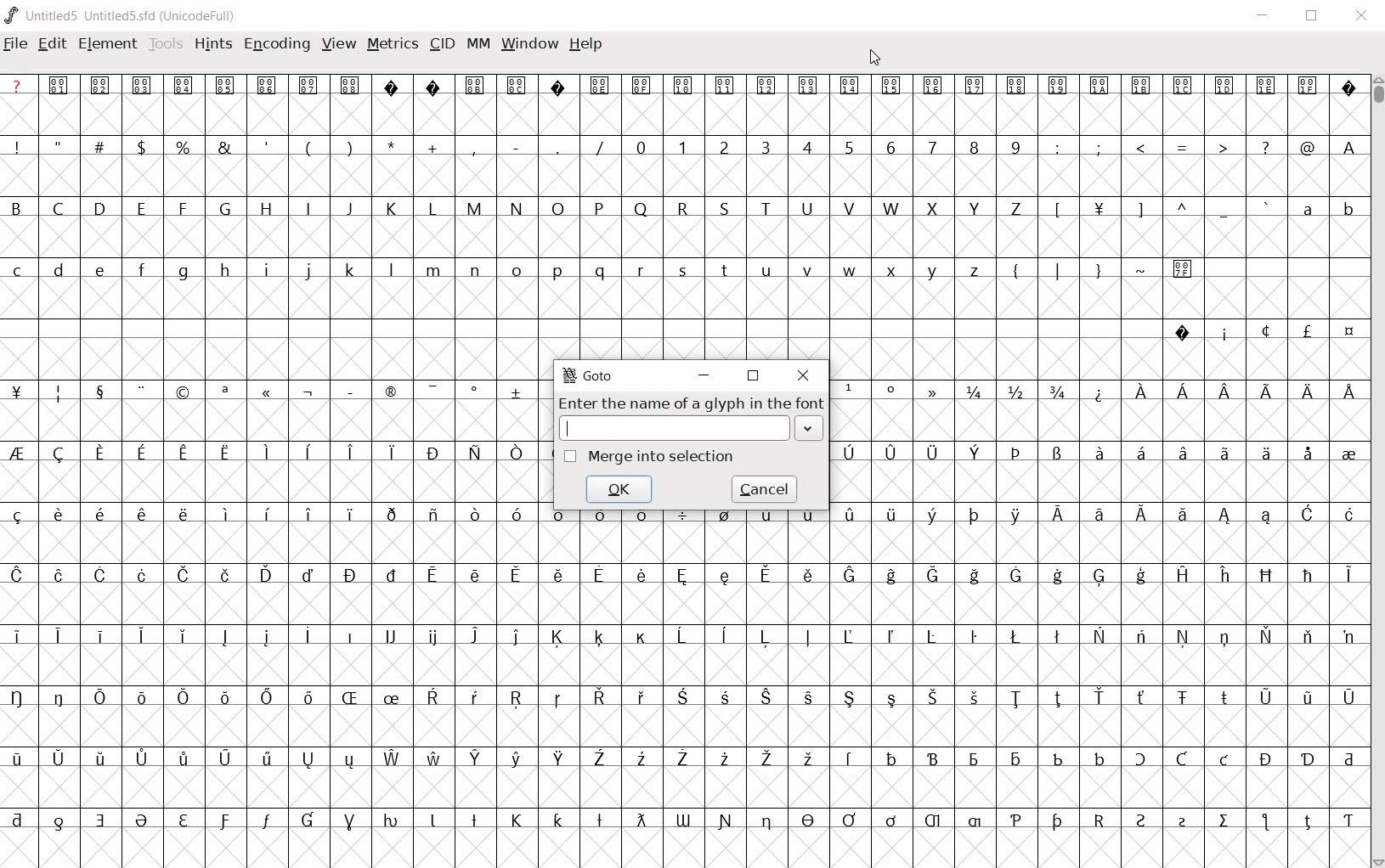 This screenshot has width=1385, height=868. Describe the element at coordinates (1263, 697) in the screenshot. I see `Symbol` at that location.